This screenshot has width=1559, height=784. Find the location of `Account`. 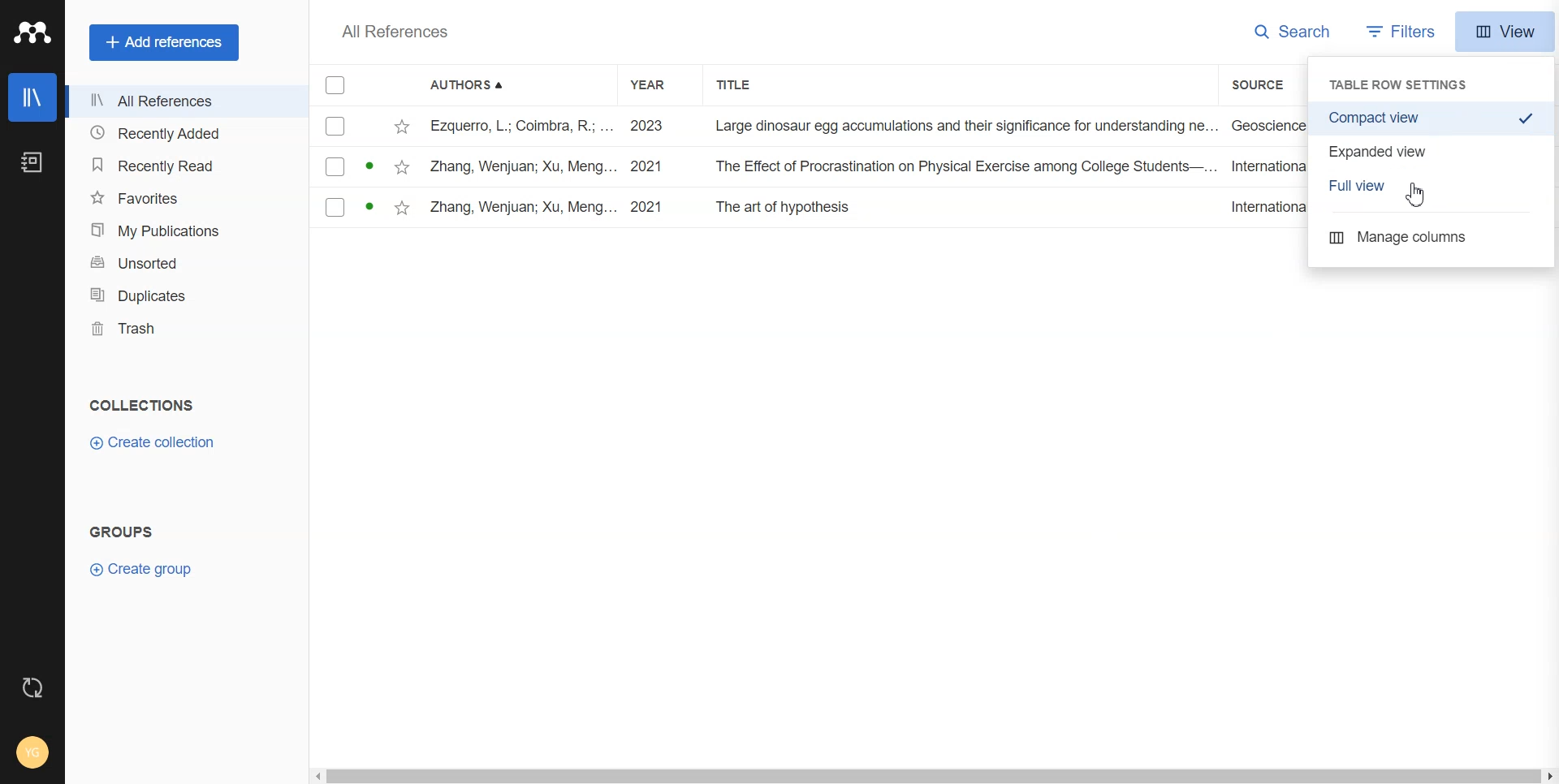

Account is located at coordinates (33, 752).